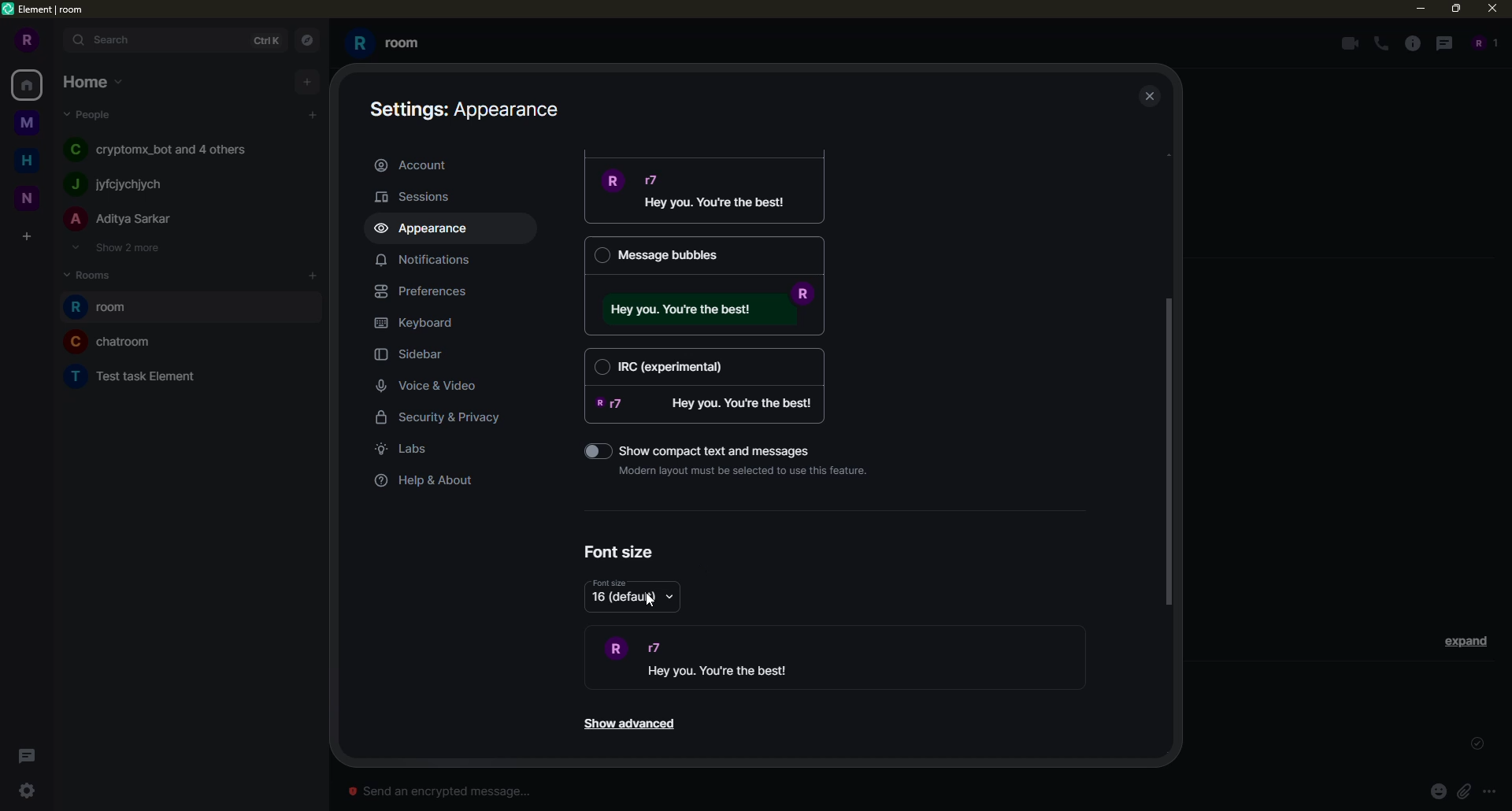  What do you see at coordinates (1383, 44) in the screenshot?
I see `voice call` at bounding box center [1383, 44].